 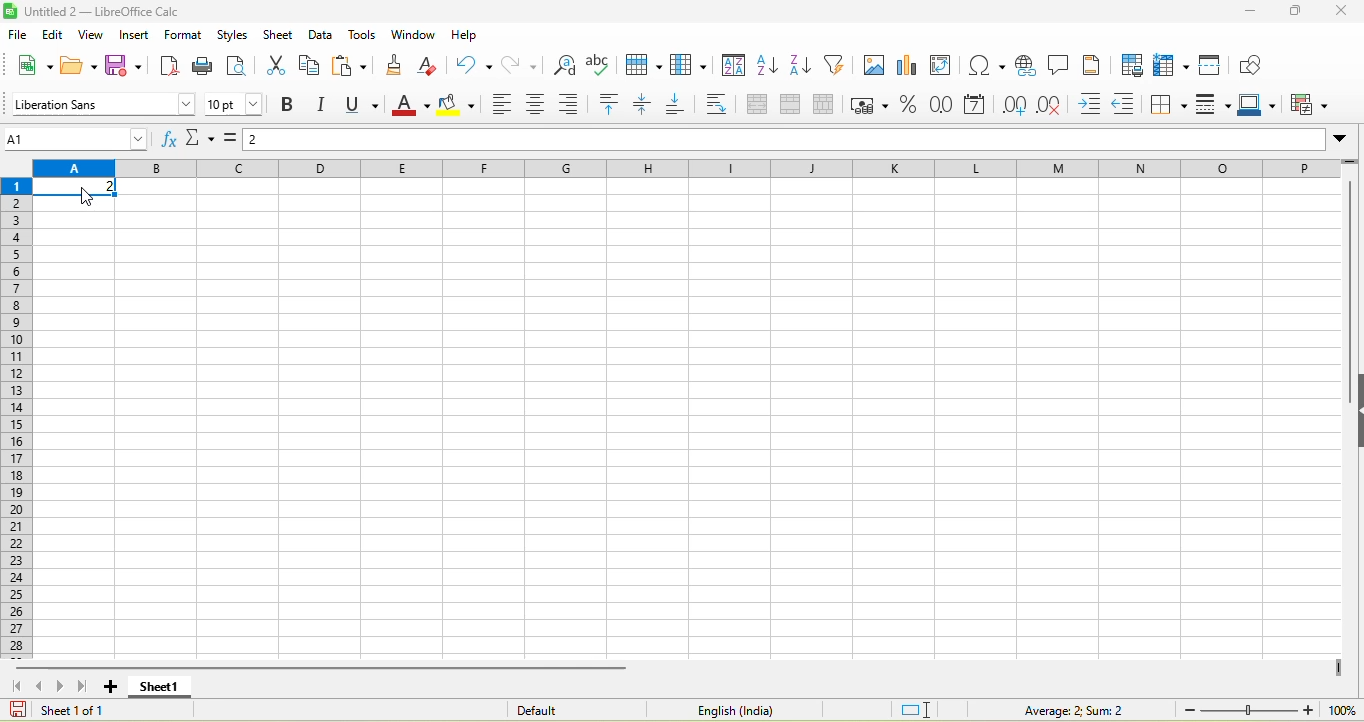 I want to click on data, so click(x=321, y=35).